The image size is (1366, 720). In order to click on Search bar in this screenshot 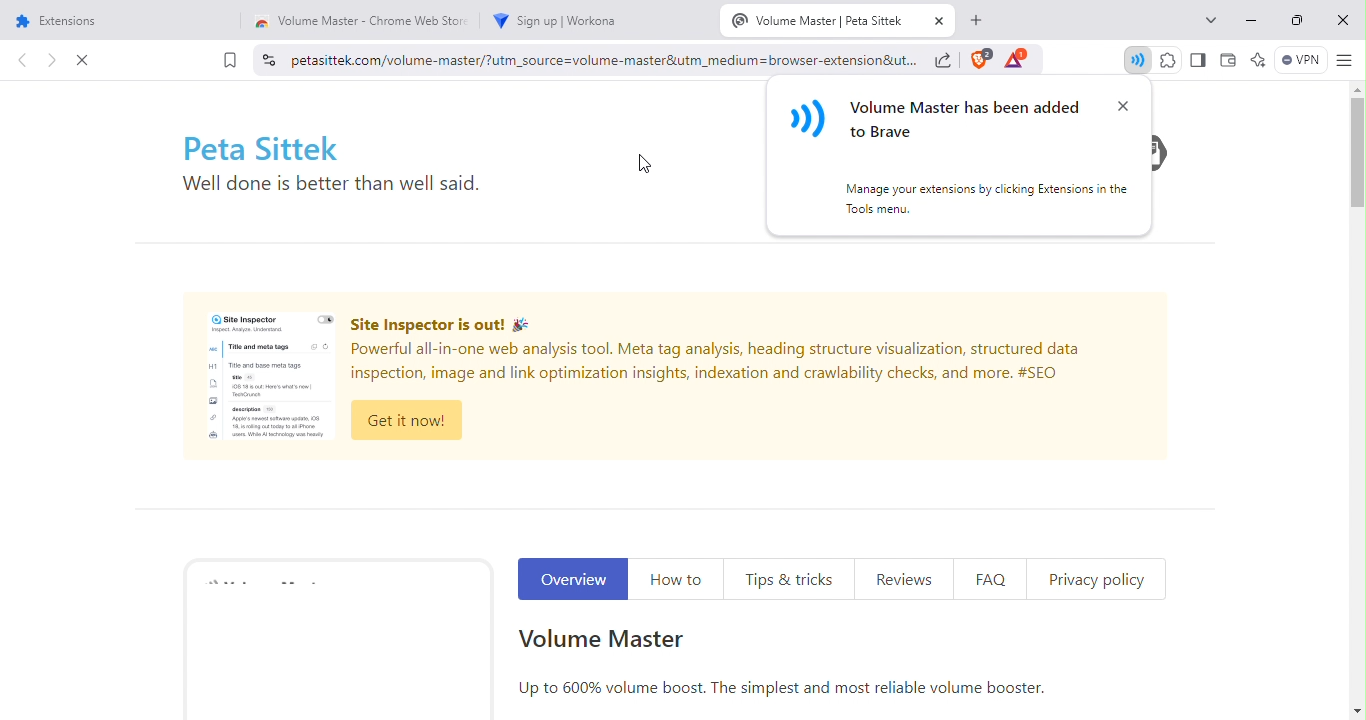, I will do `click(609, 61)`.